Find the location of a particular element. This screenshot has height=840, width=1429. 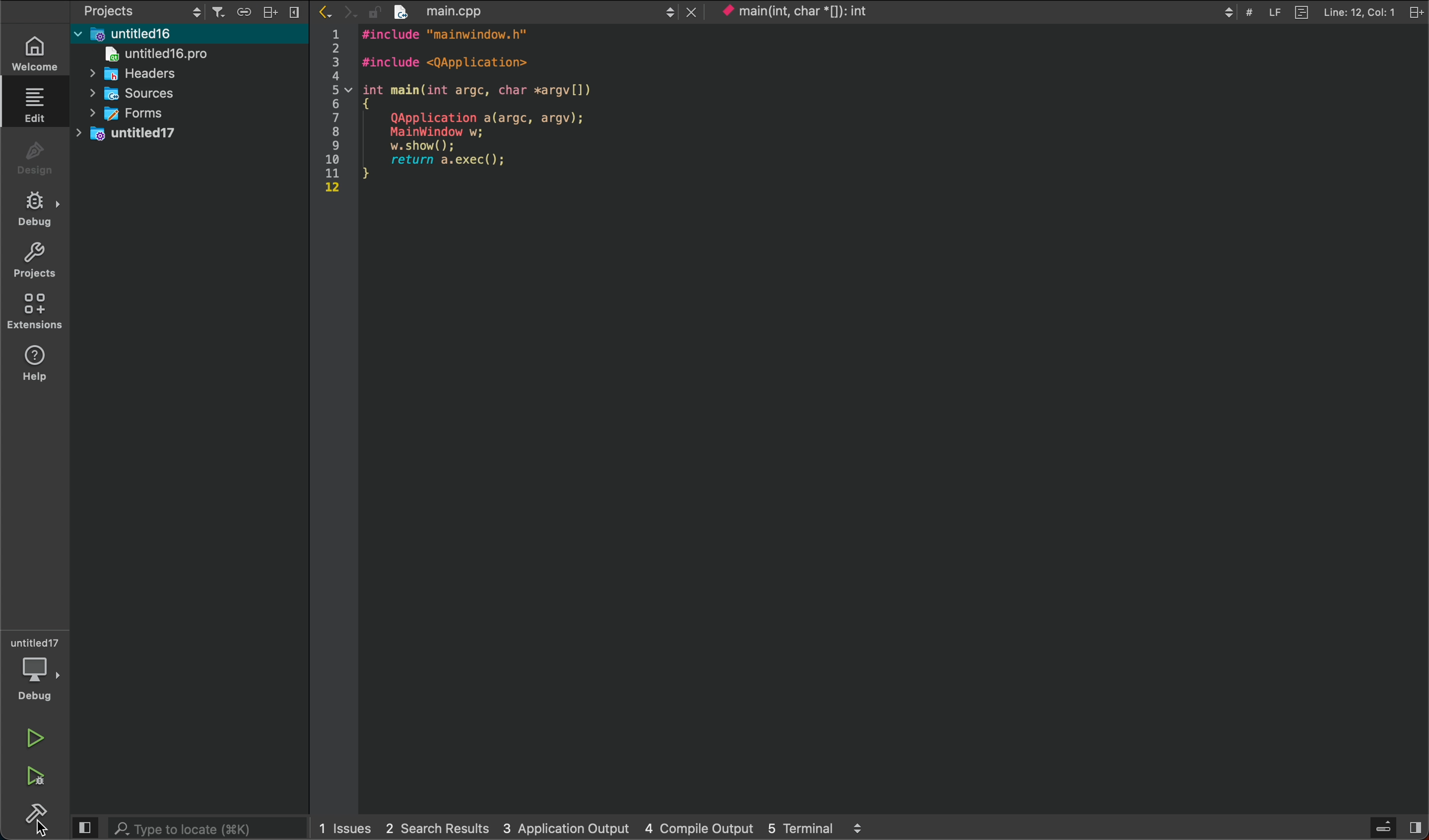

Terminal is located at coordinates (801, 828).